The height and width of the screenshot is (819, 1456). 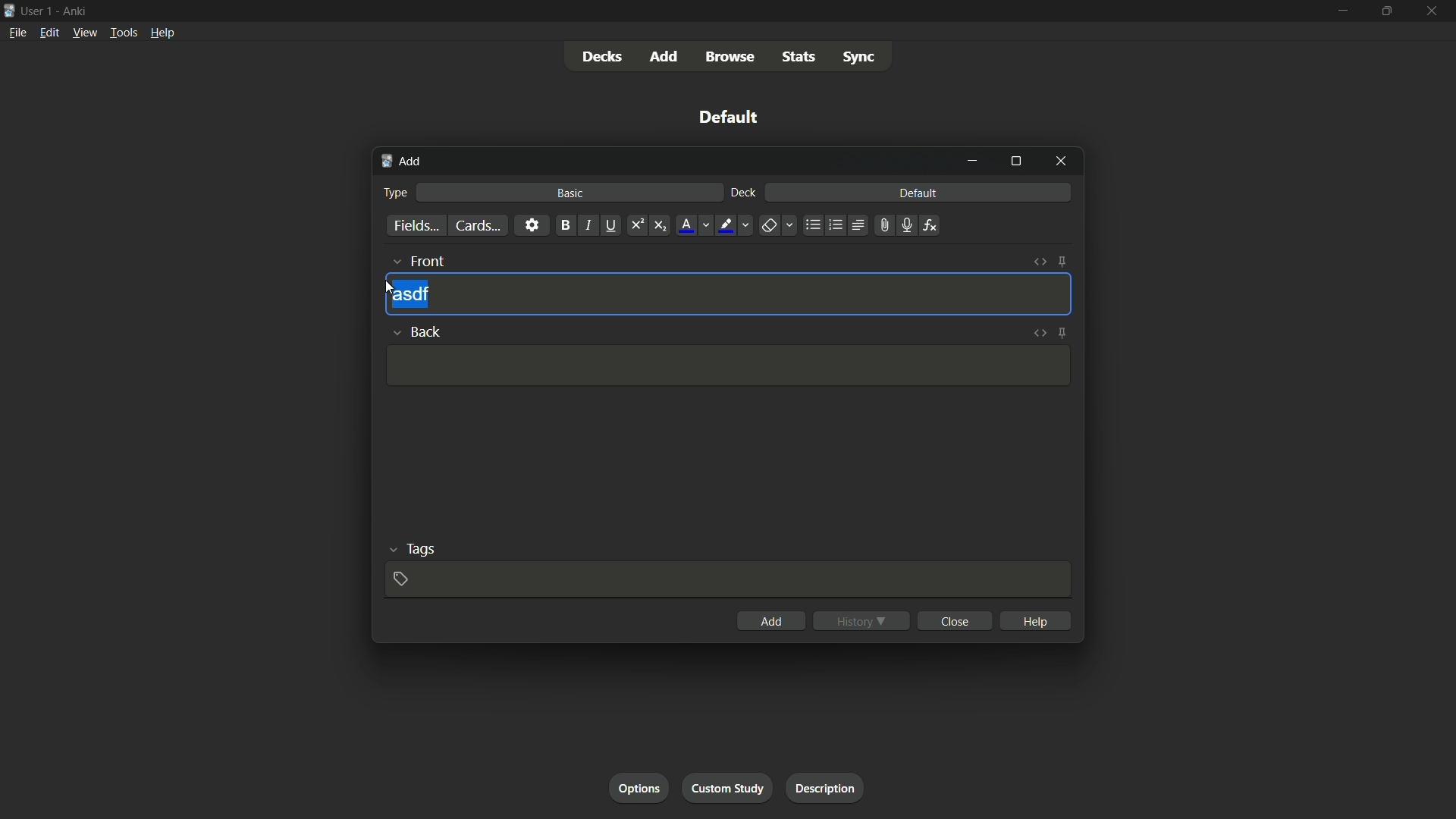 I want to click on toggle html editor, so click(x=1038, y=333).